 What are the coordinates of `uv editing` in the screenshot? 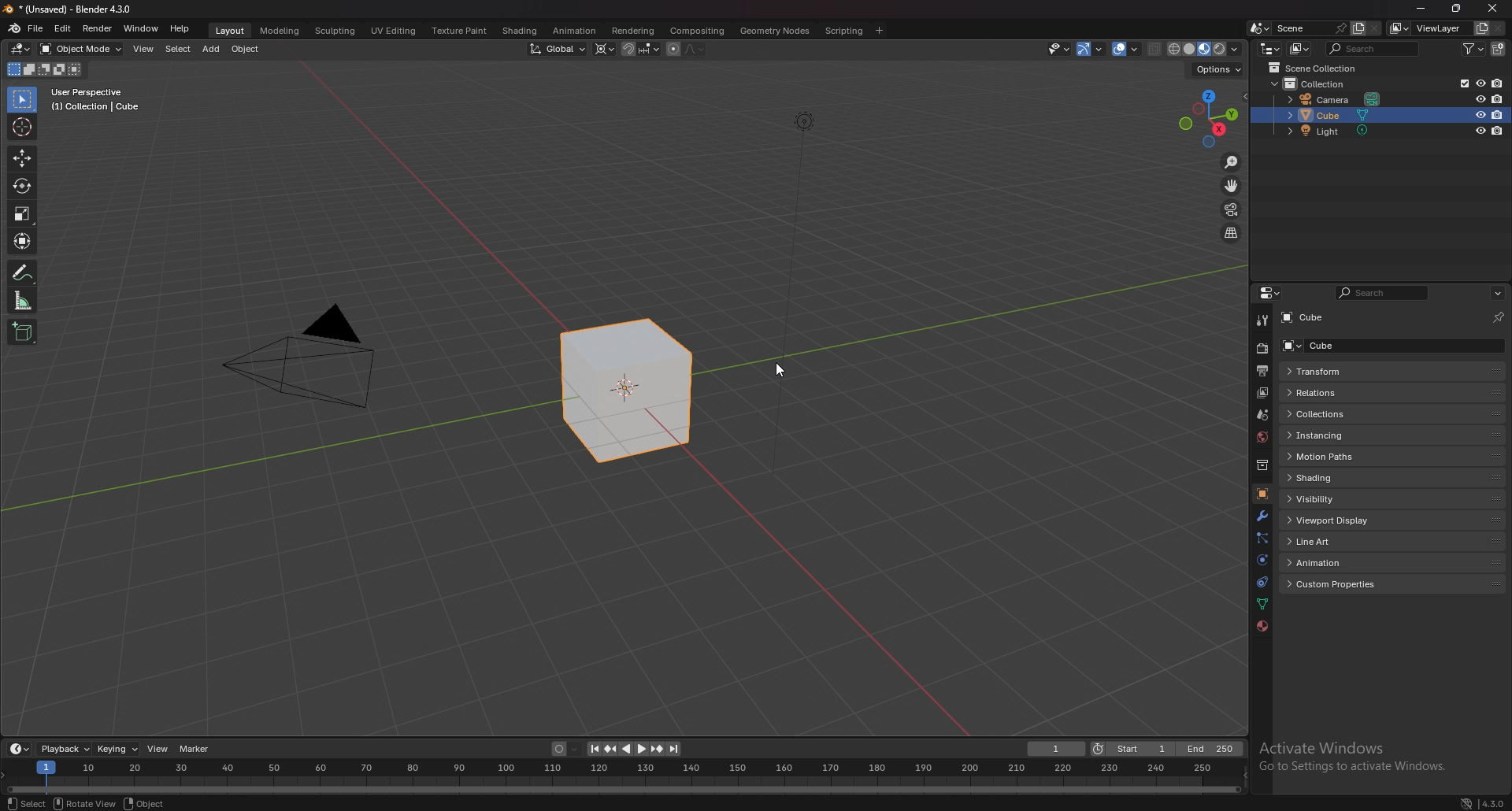 It's located at (394, 31).